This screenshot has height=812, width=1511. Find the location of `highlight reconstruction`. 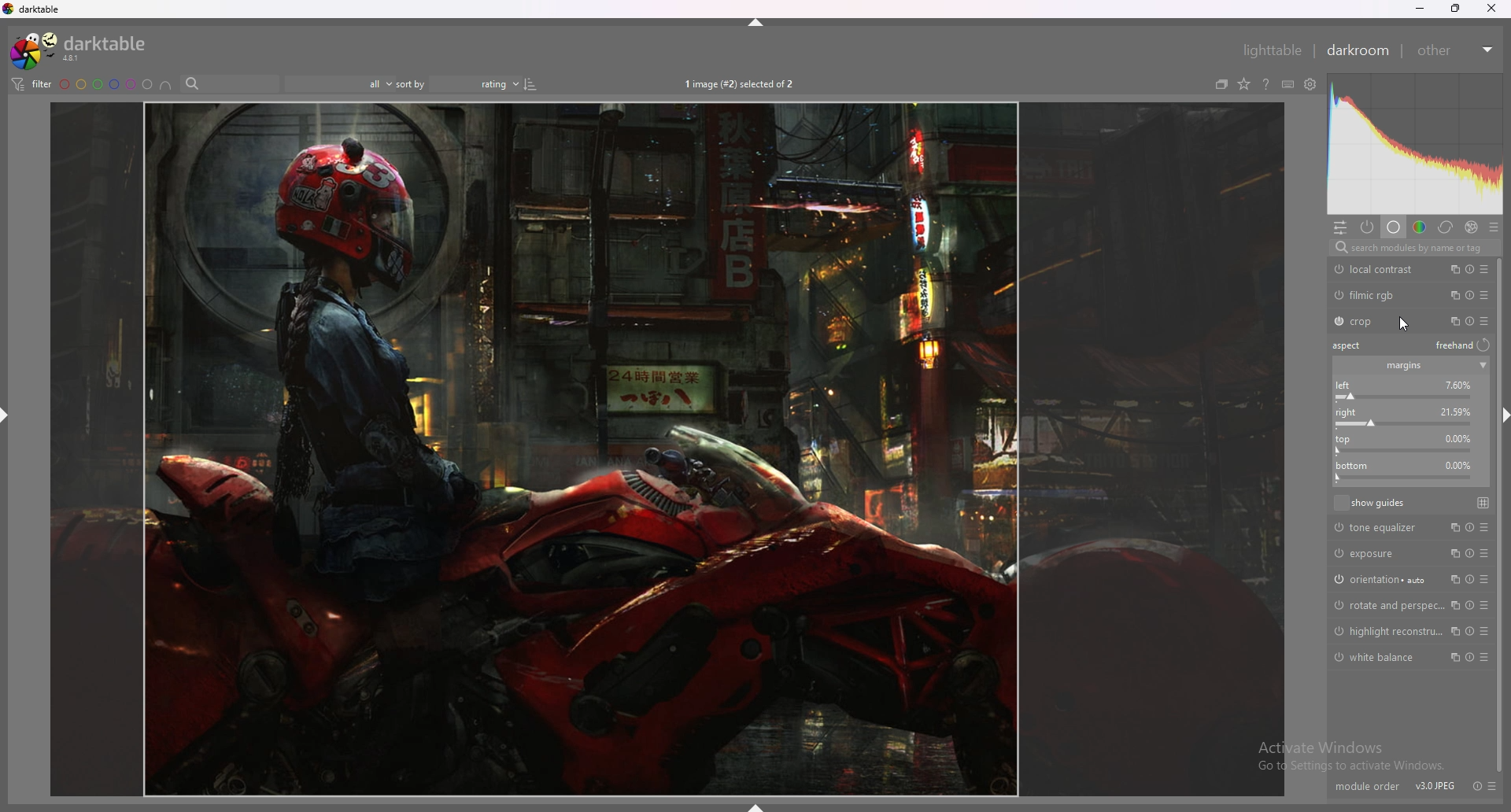

highlight reconstruction is located at coordinates (1387, 631).